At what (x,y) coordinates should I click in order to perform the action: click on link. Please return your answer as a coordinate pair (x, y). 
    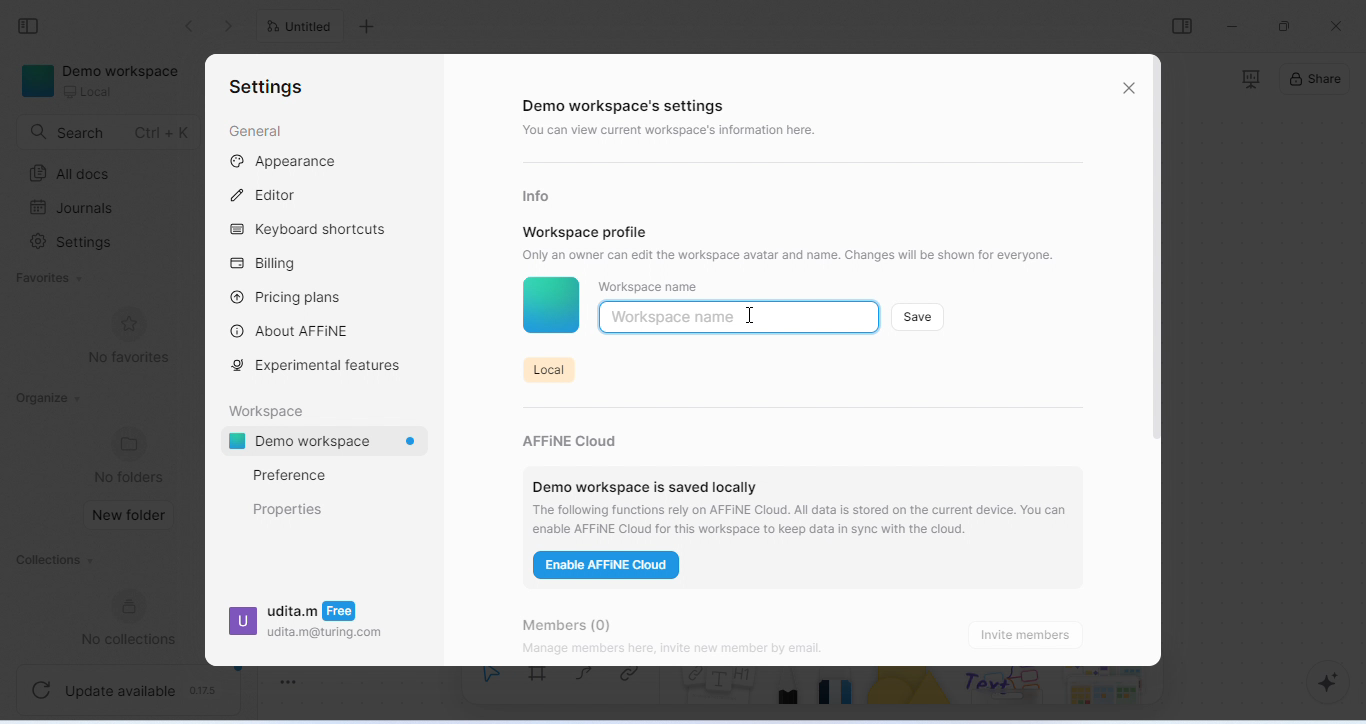
    Looking at the image, I should click on (637, 683).